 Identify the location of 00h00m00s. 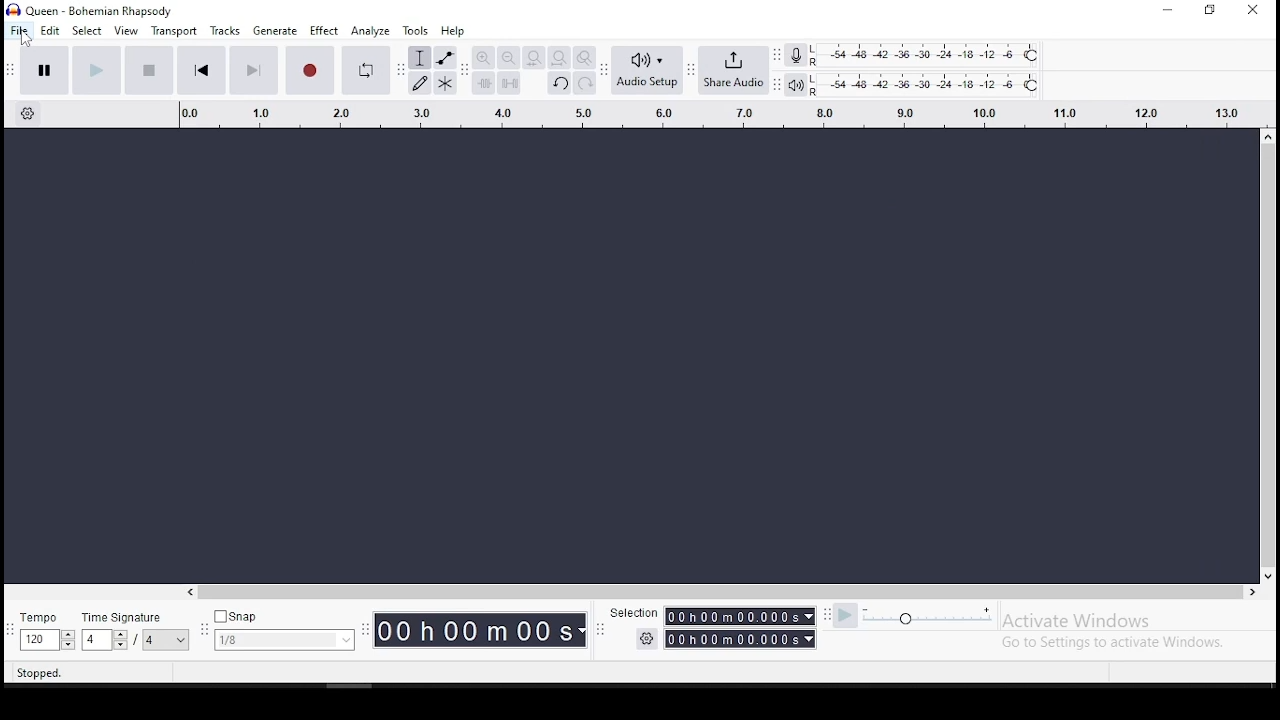
(742, 618).